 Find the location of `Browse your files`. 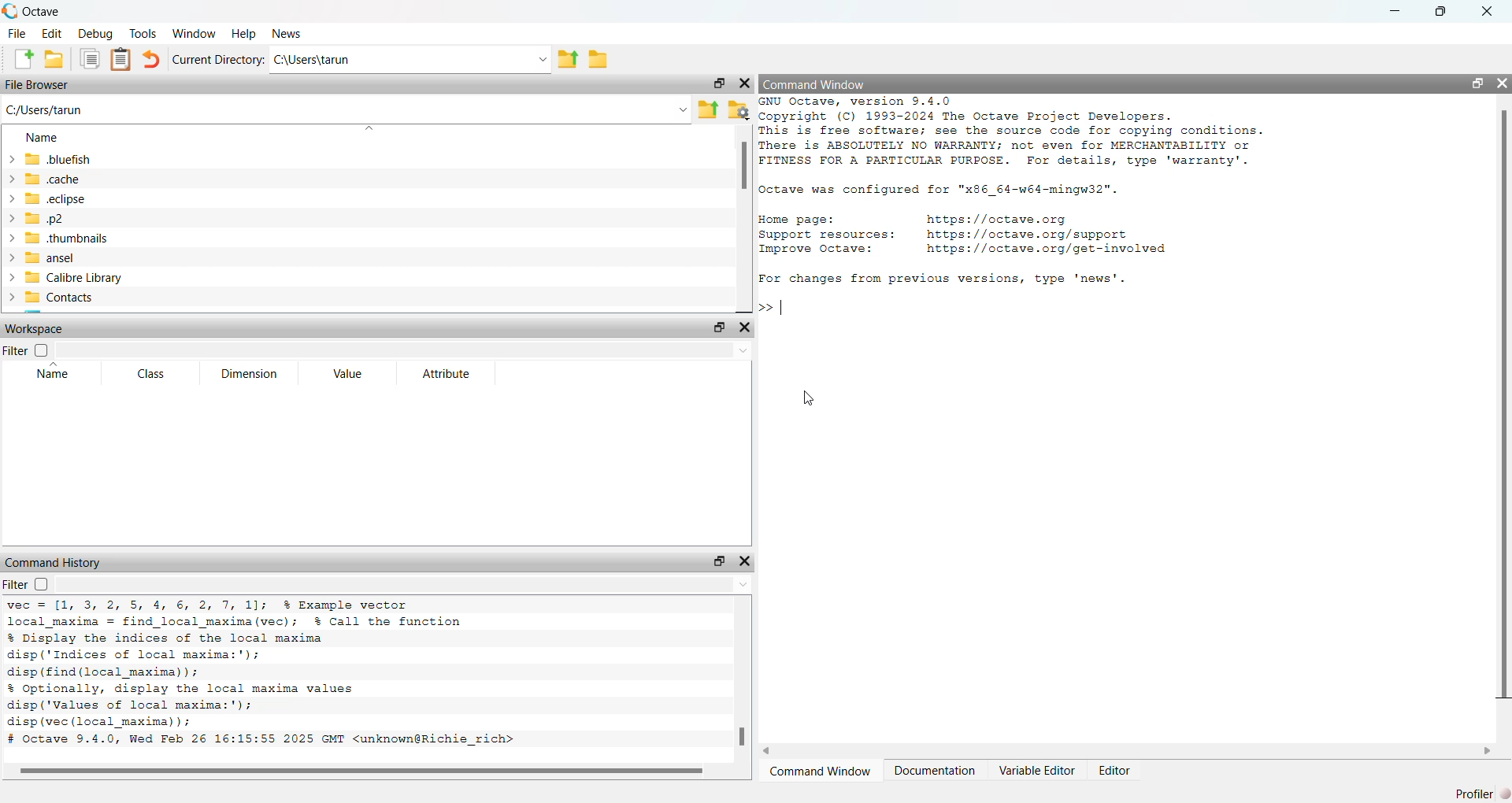

Browse your files is located at coordinates (739, 109).